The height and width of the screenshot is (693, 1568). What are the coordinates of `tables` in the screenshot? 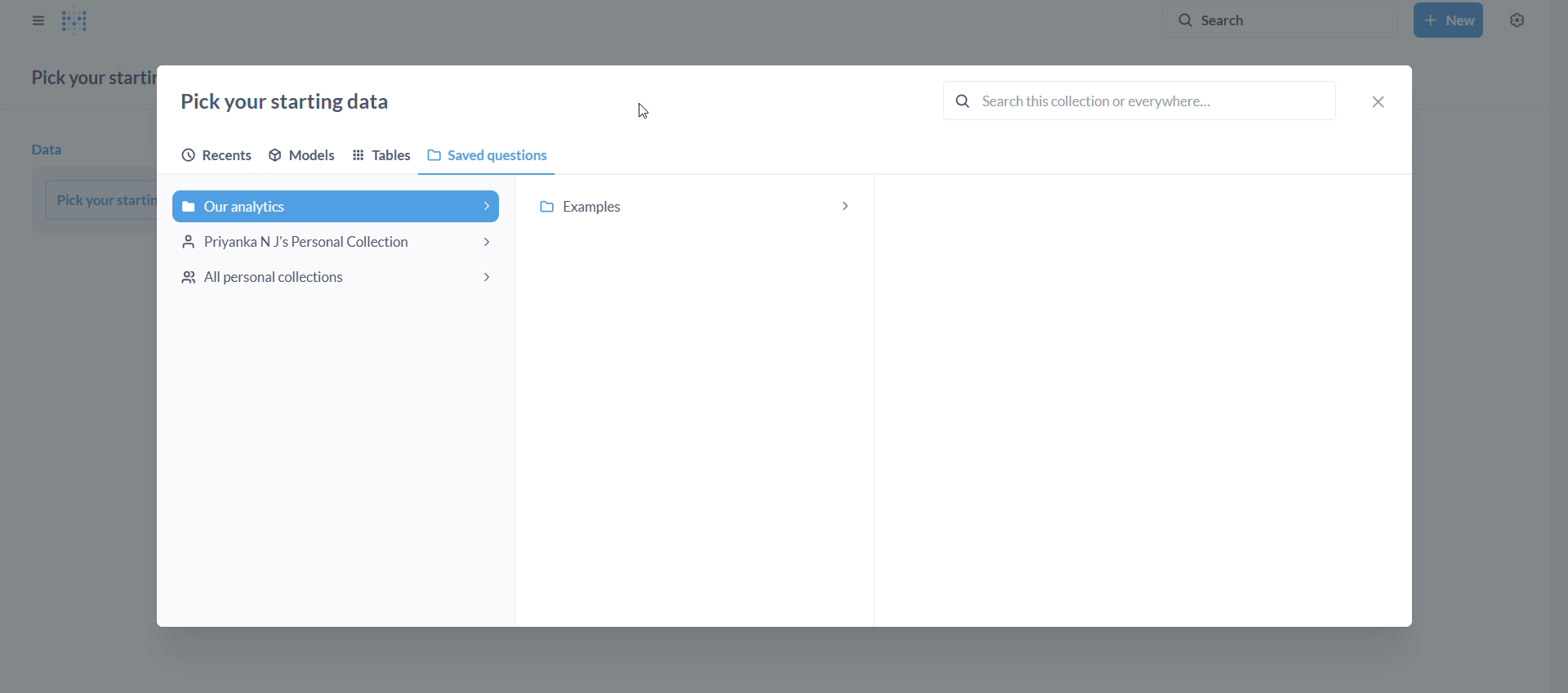 It's located at (384, 157).